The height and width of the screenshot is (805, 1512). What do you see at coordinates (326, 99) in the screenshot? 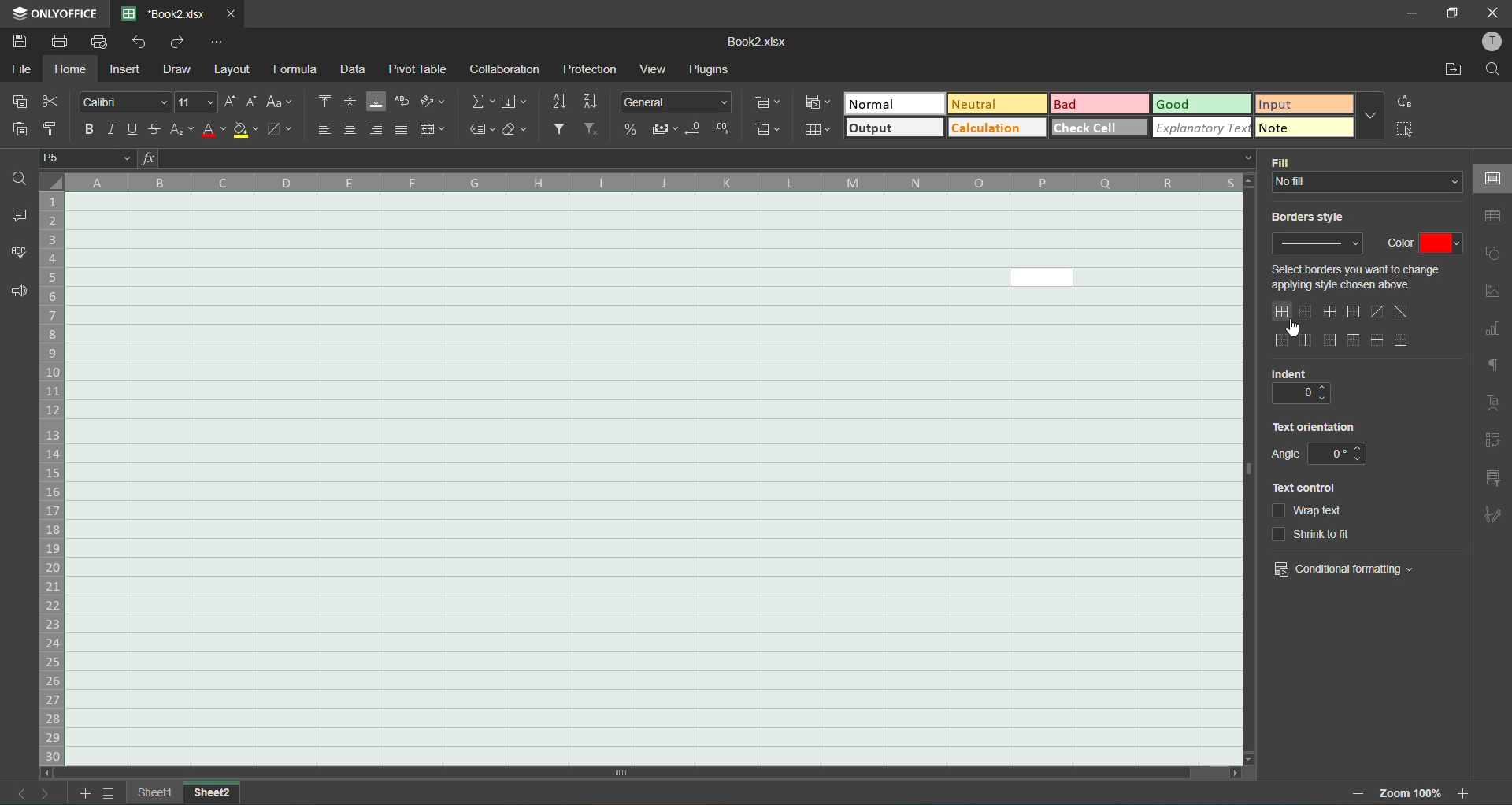
I see `align top` at bounding box center [326, 99].